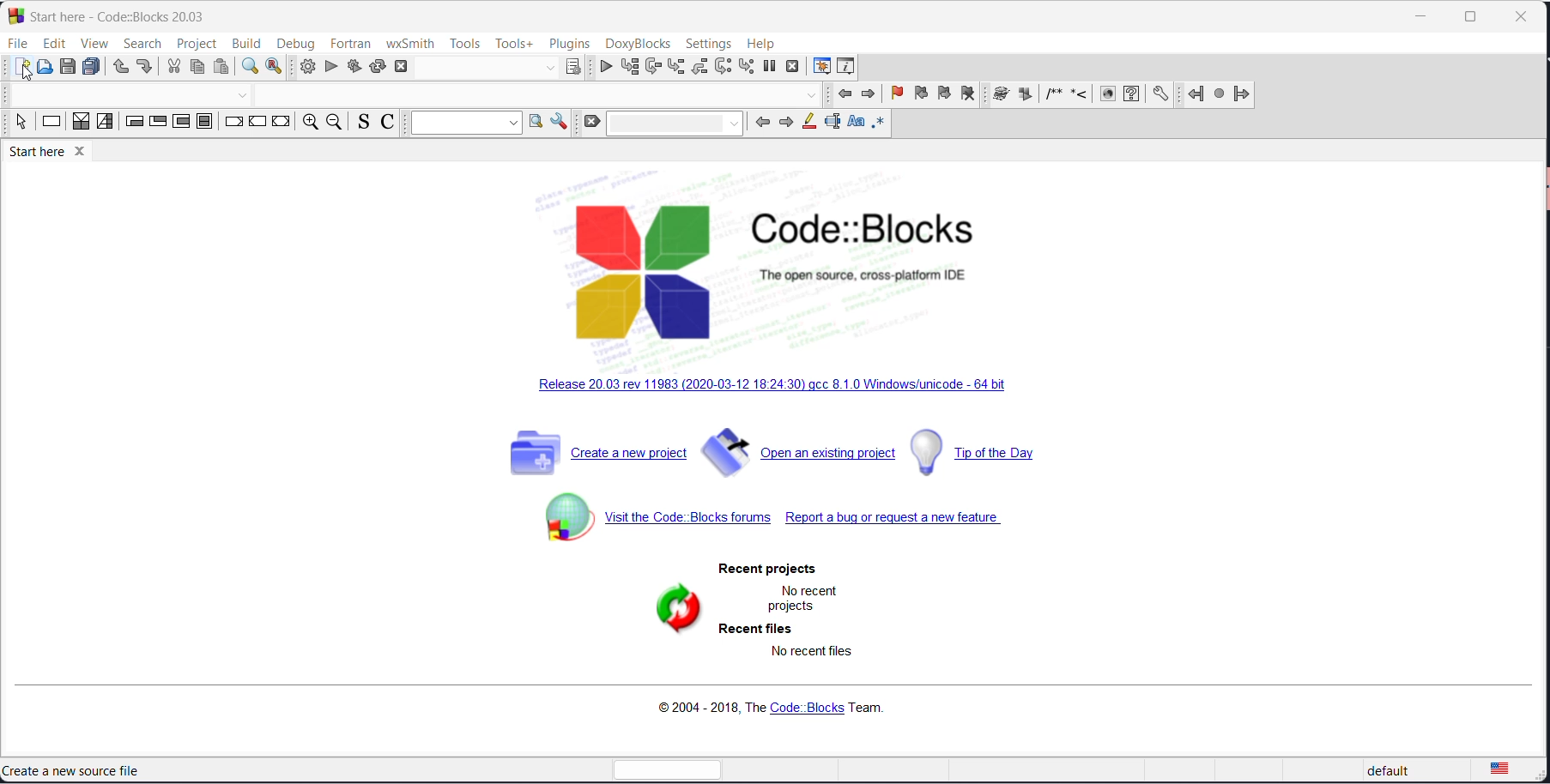  What do you see at coordinates (1081, 96) in the screenshot?
I see `Insert line` at bounding box center [1081, 96].